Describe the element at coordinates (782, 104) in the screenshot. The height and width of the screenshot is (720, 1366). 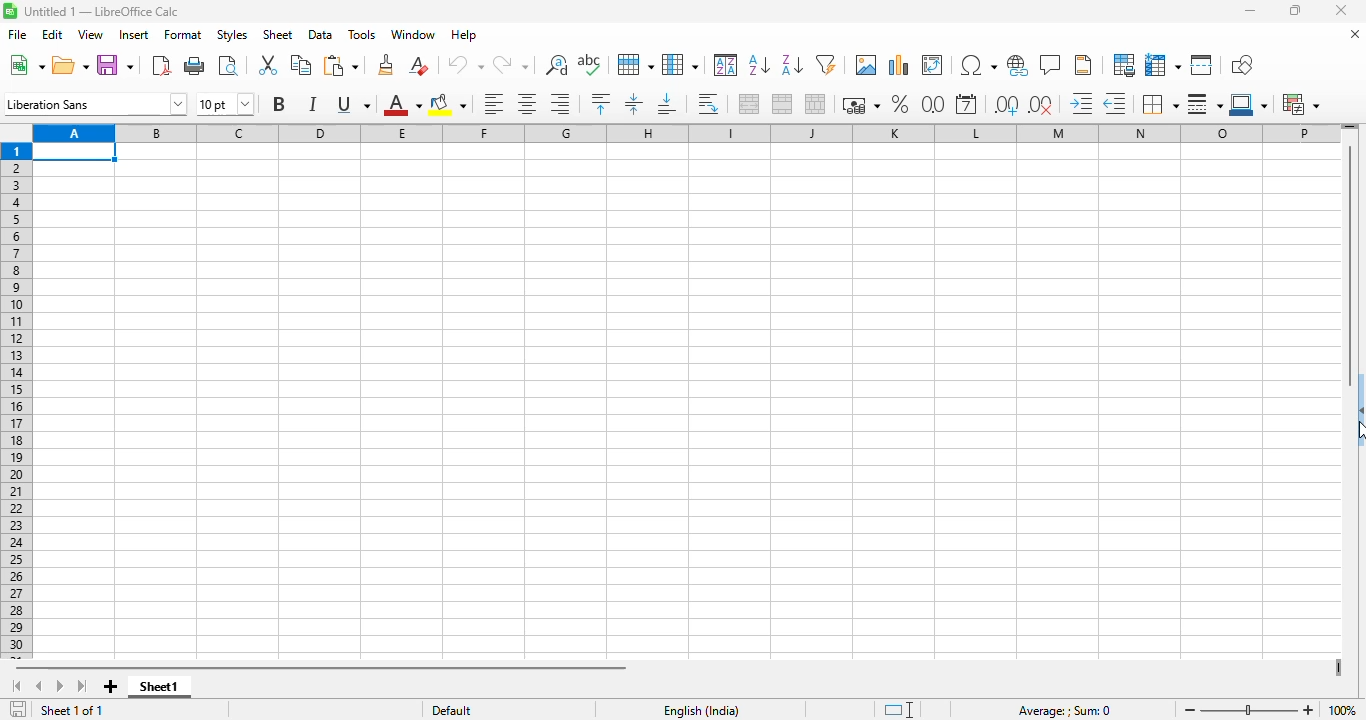
I see `merge cells` at that location.